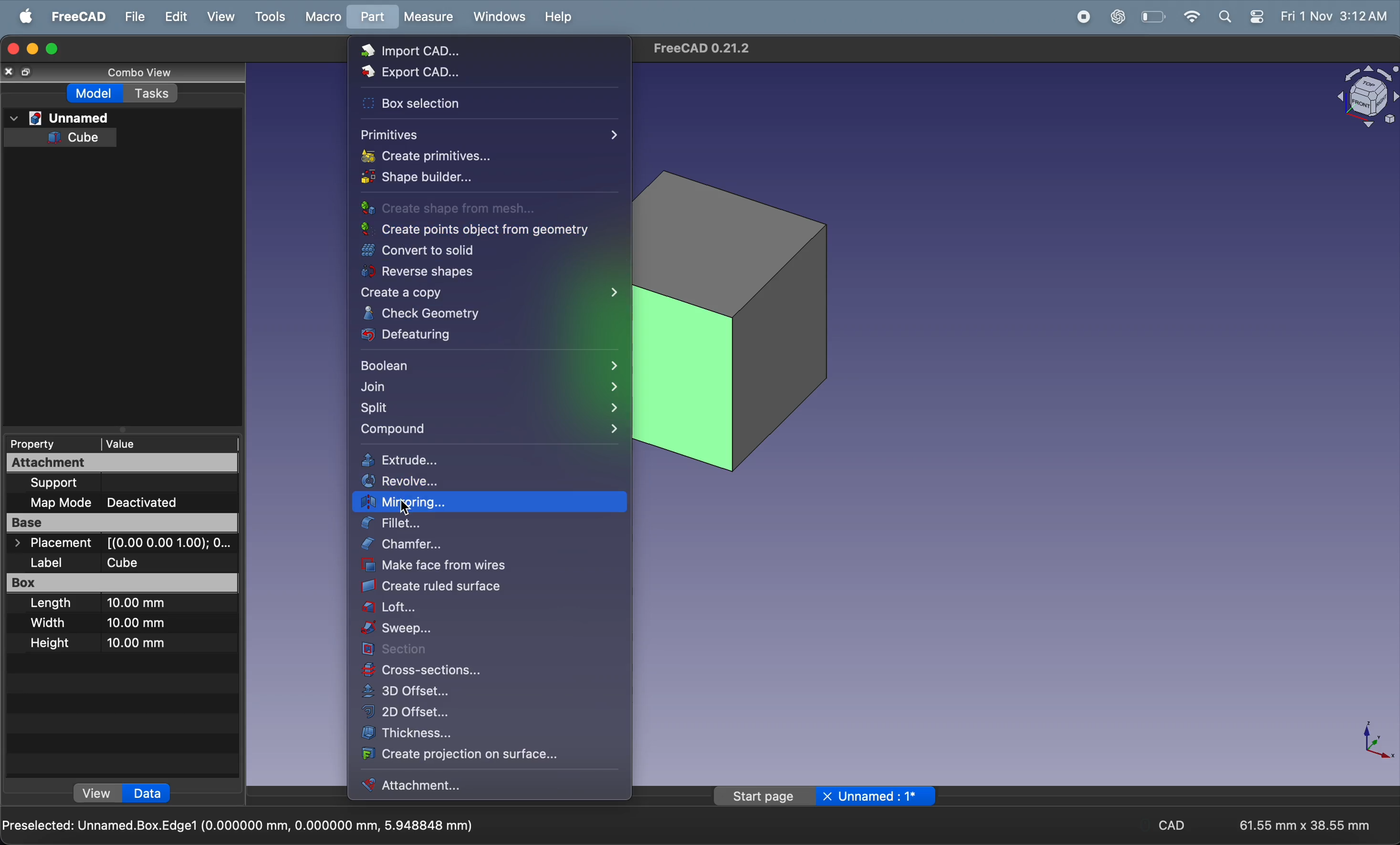 The image size is (1400, 845). What do you see at coordinates (153, 95) in the screenshot?
I see `tasks` at bounding box center [153, 95].